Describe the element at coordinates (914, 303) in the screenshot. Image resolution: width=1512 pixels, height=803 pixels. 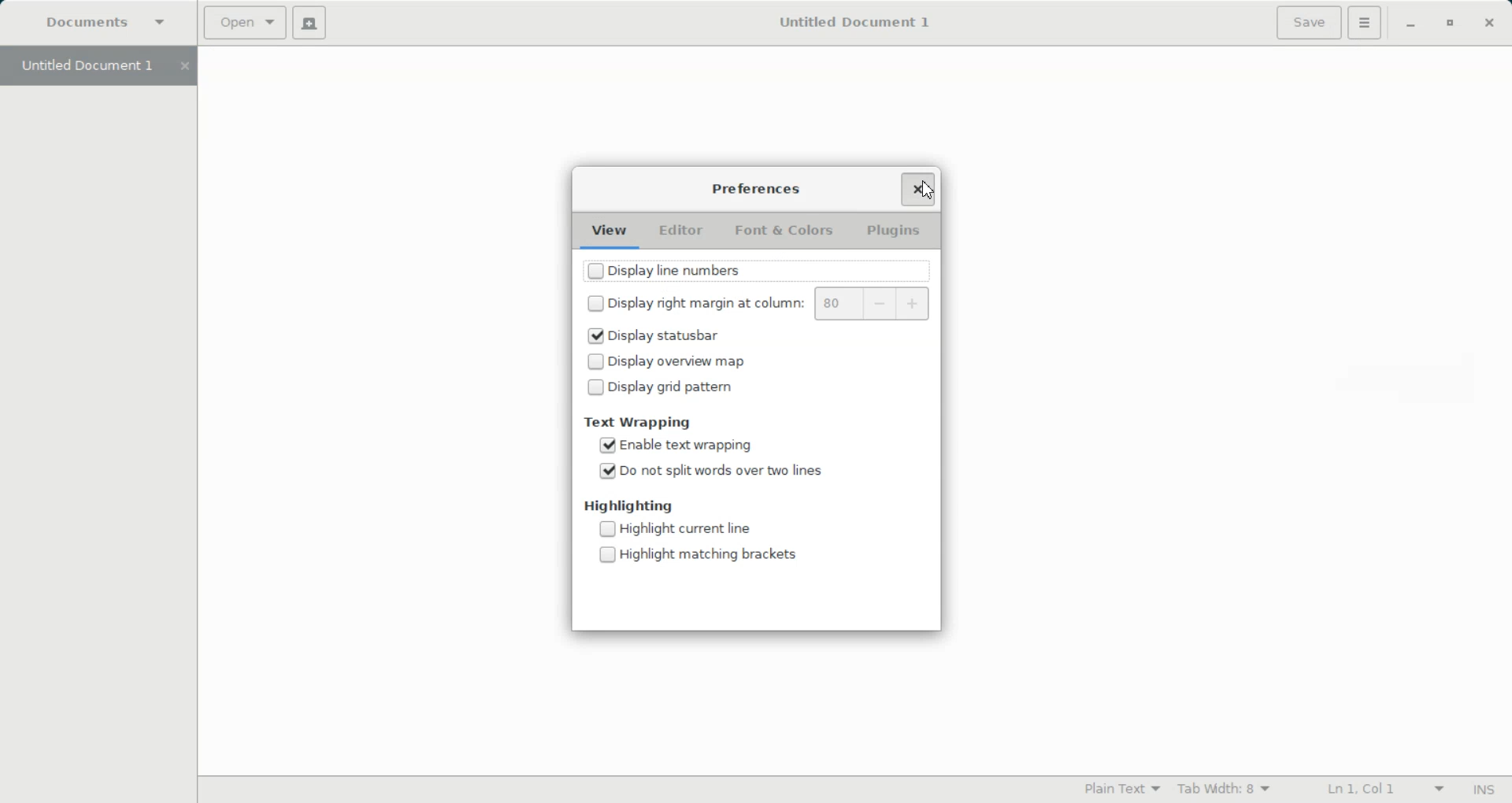
I see `Increase ` at that location.